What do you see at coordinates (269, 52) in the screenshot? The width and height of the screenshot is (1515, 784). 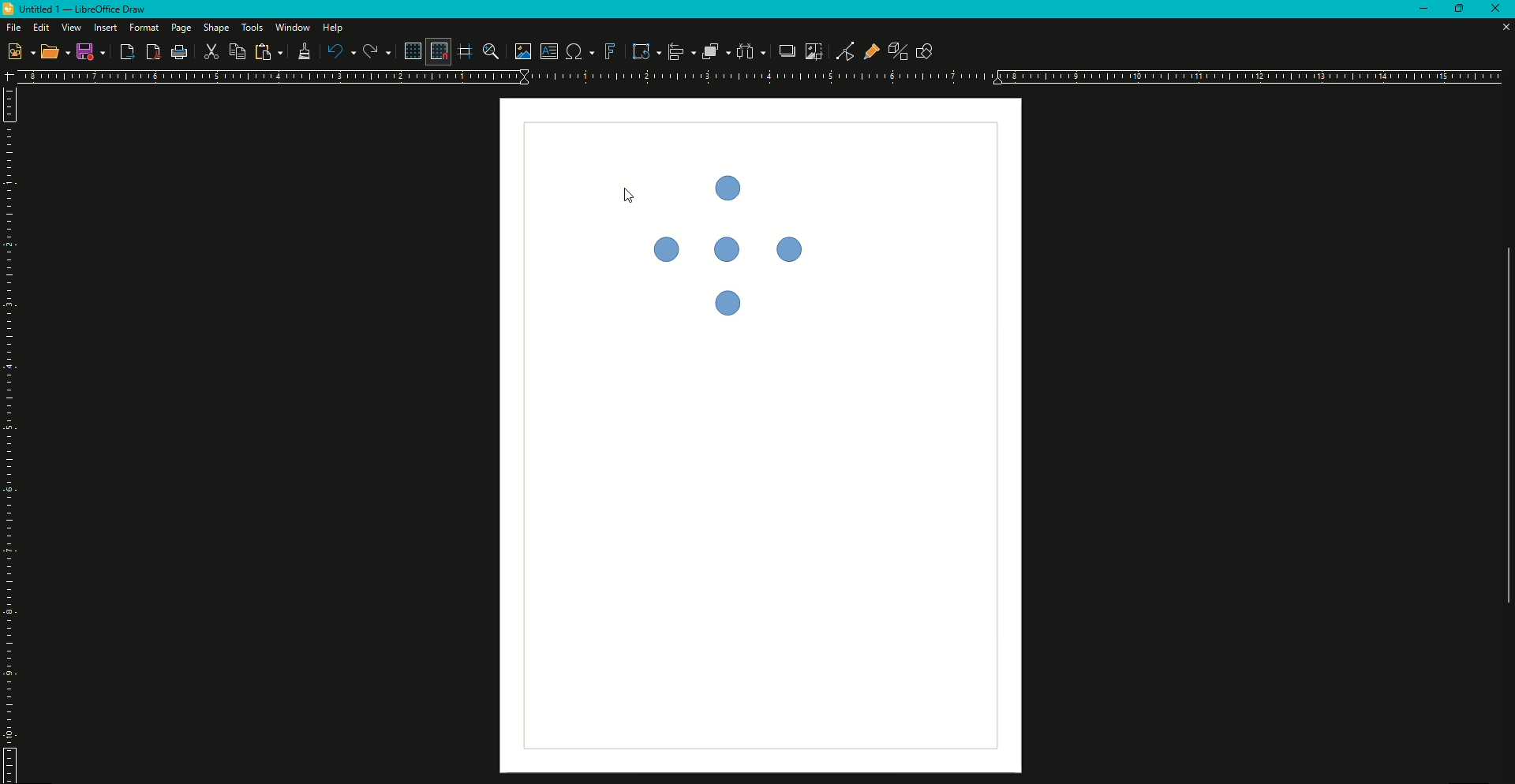 I see `Copy` at bounding box center [269, 52].